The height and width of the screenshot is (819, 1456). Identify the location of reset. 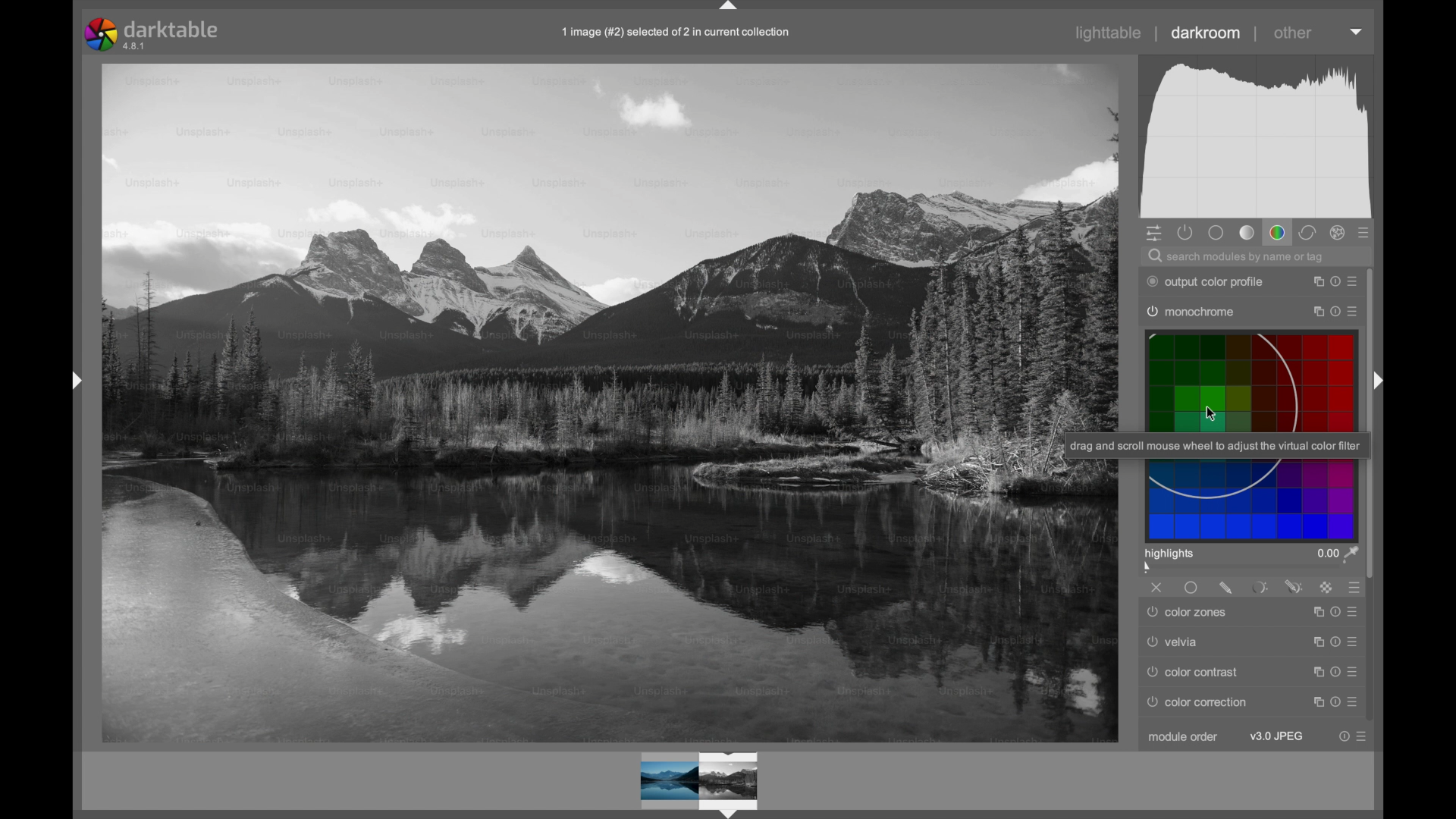
(1316, 672).